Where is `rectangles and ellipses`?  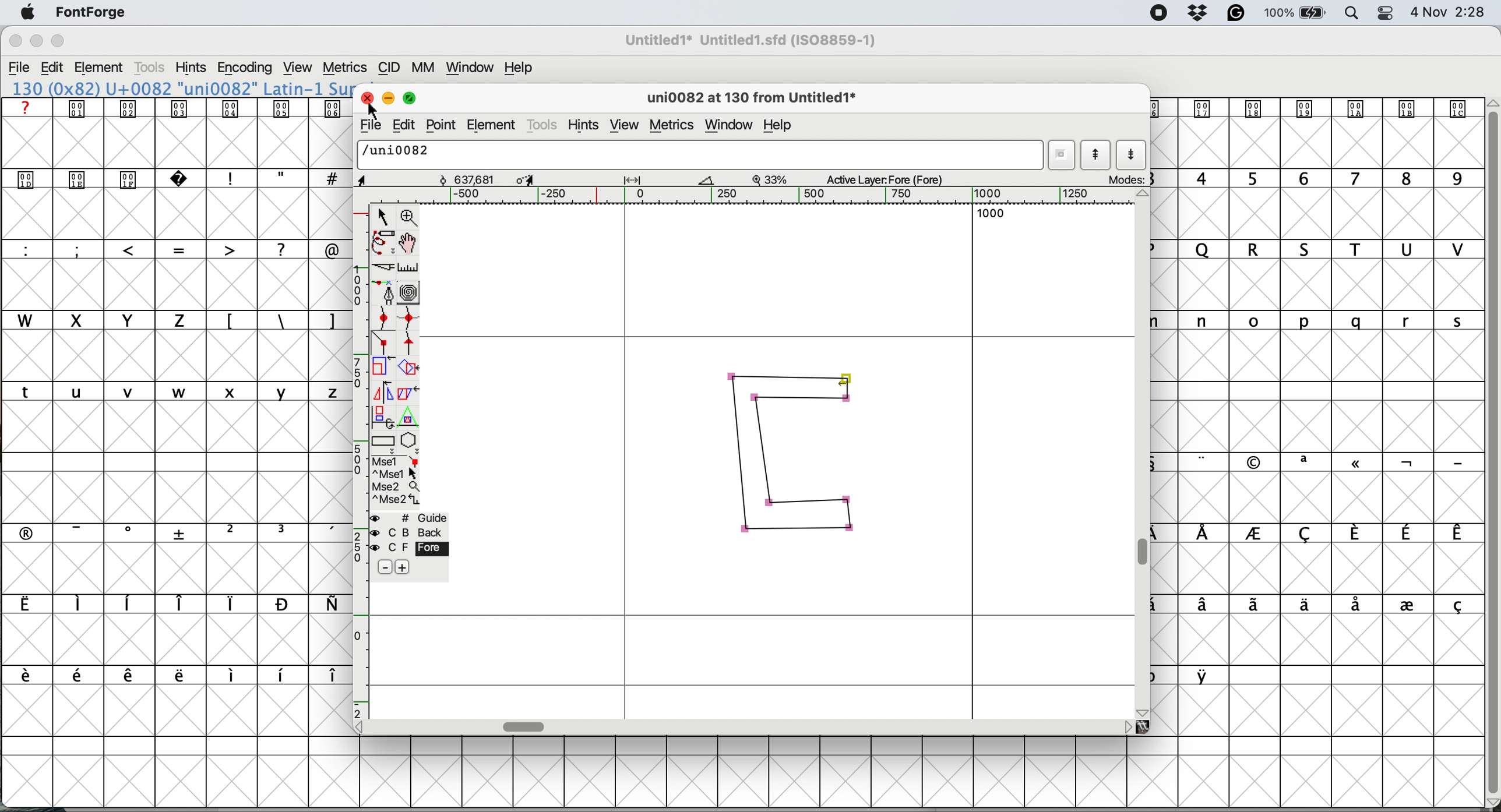 rectangles and ellipses is located at coordinates (385, 443).